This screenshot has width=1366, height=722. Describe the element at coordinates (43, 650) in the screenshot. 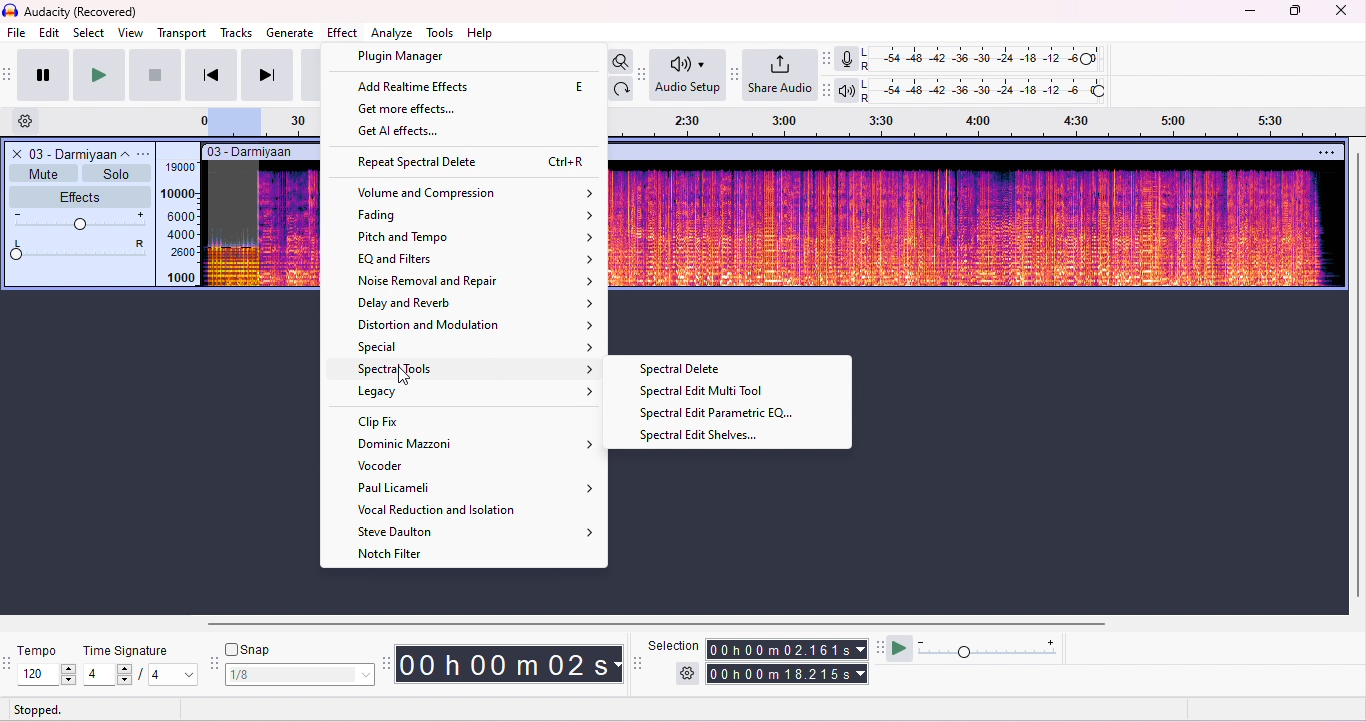

I see `tempo` at that location.